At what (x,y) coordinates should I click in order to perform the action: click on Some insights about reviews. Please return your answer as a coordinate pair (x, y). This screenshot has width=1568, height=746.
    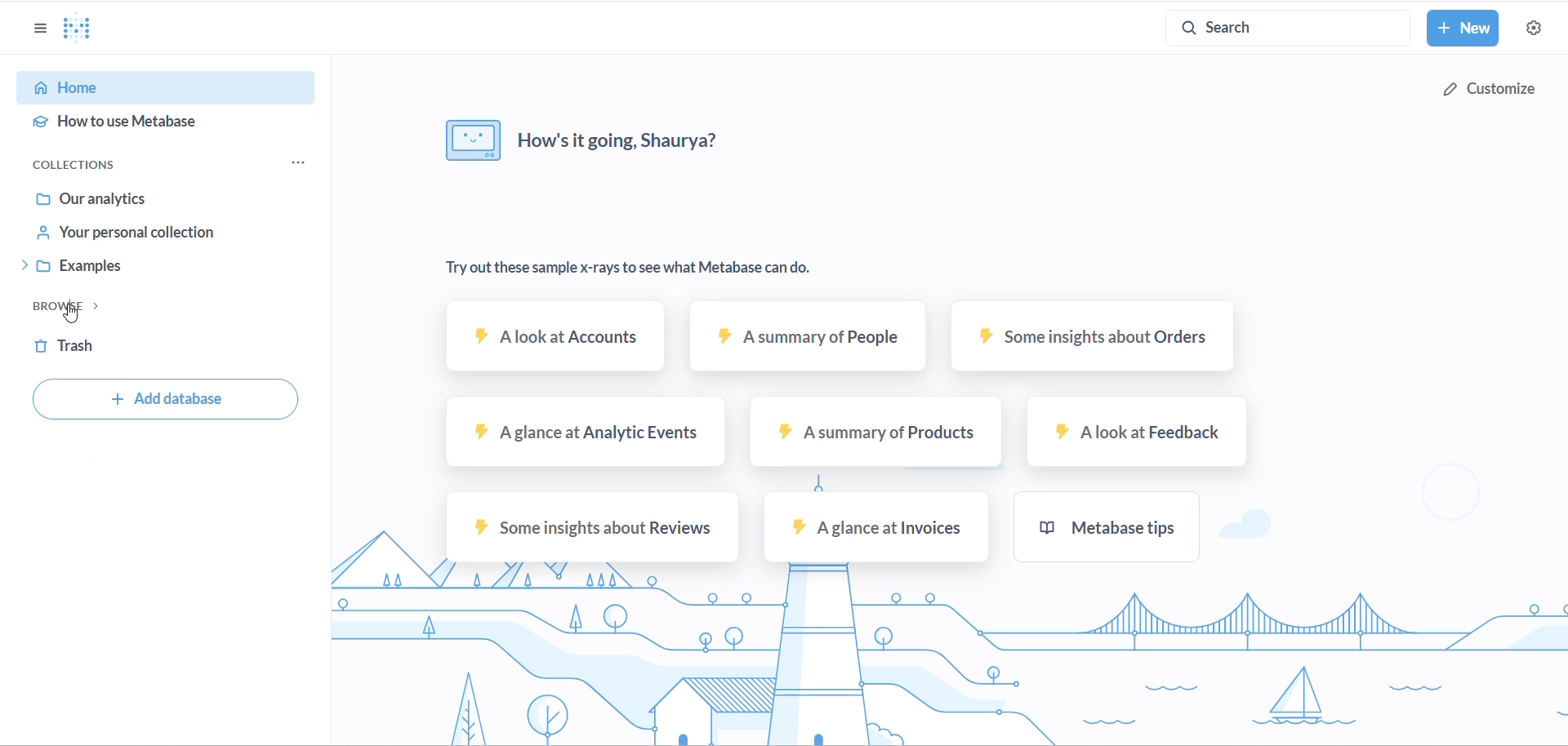
    Looking at the image, I should click on (591, 534).